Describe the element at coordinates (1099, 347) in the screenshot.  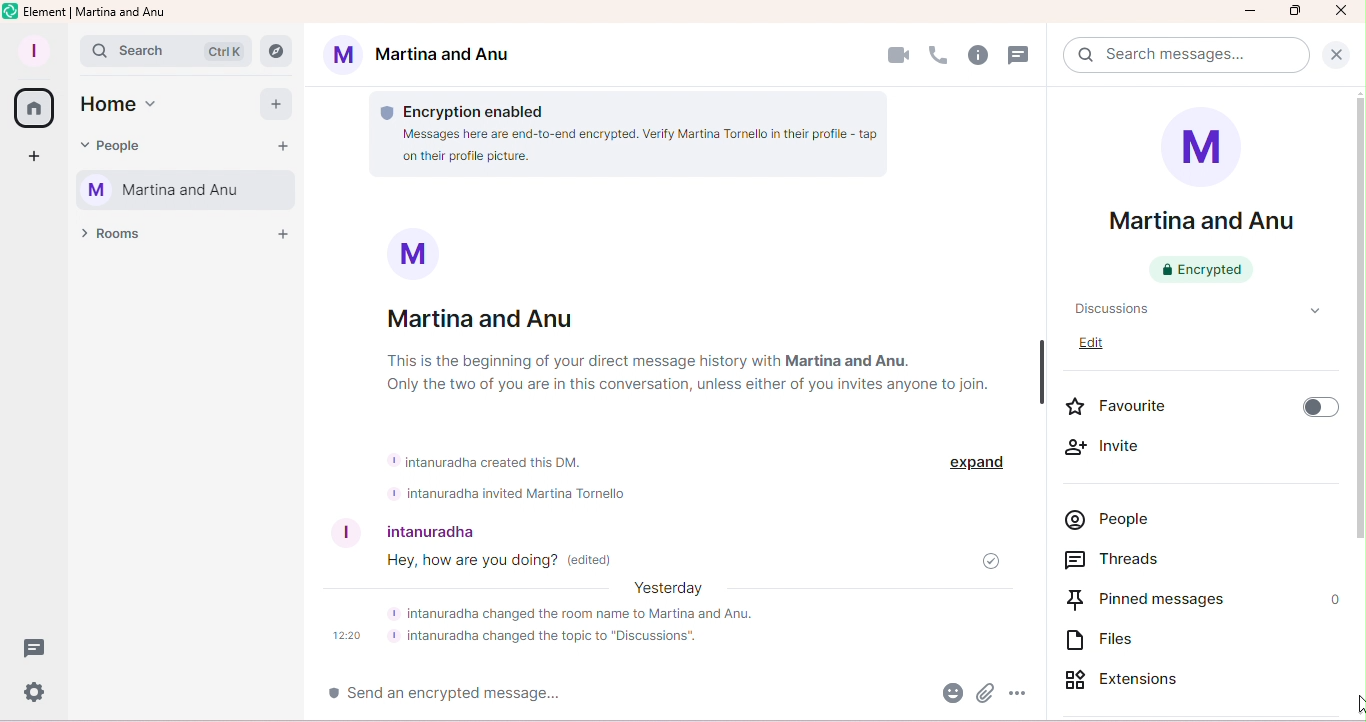
I see `Edit` at that location.